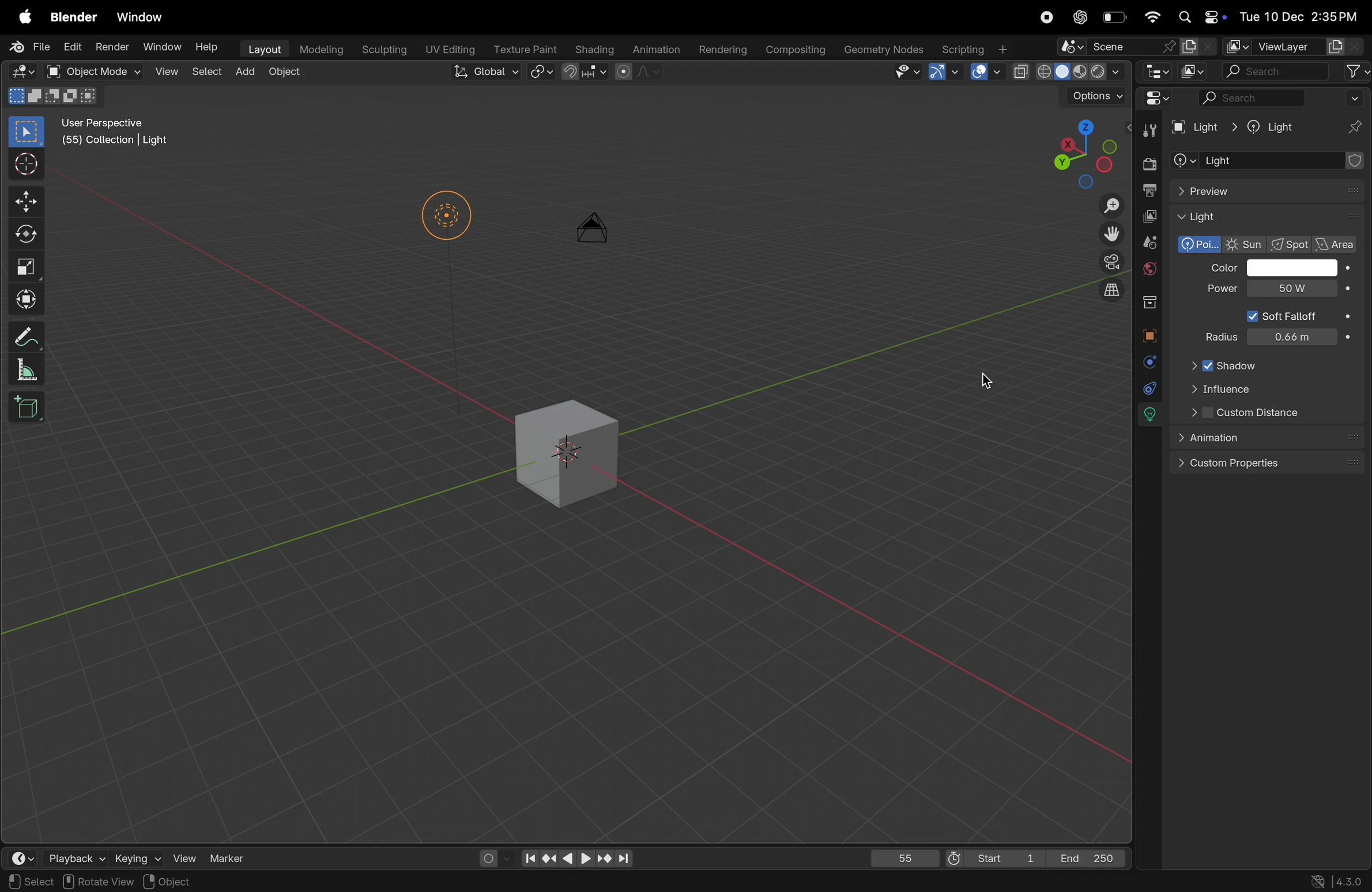 Image resolution: width=1372 pixels, height=892 pixels. What do you see at coordinates (986, 72) in the screenshot?
I see `show overlays` at bounding box center [986, 72].